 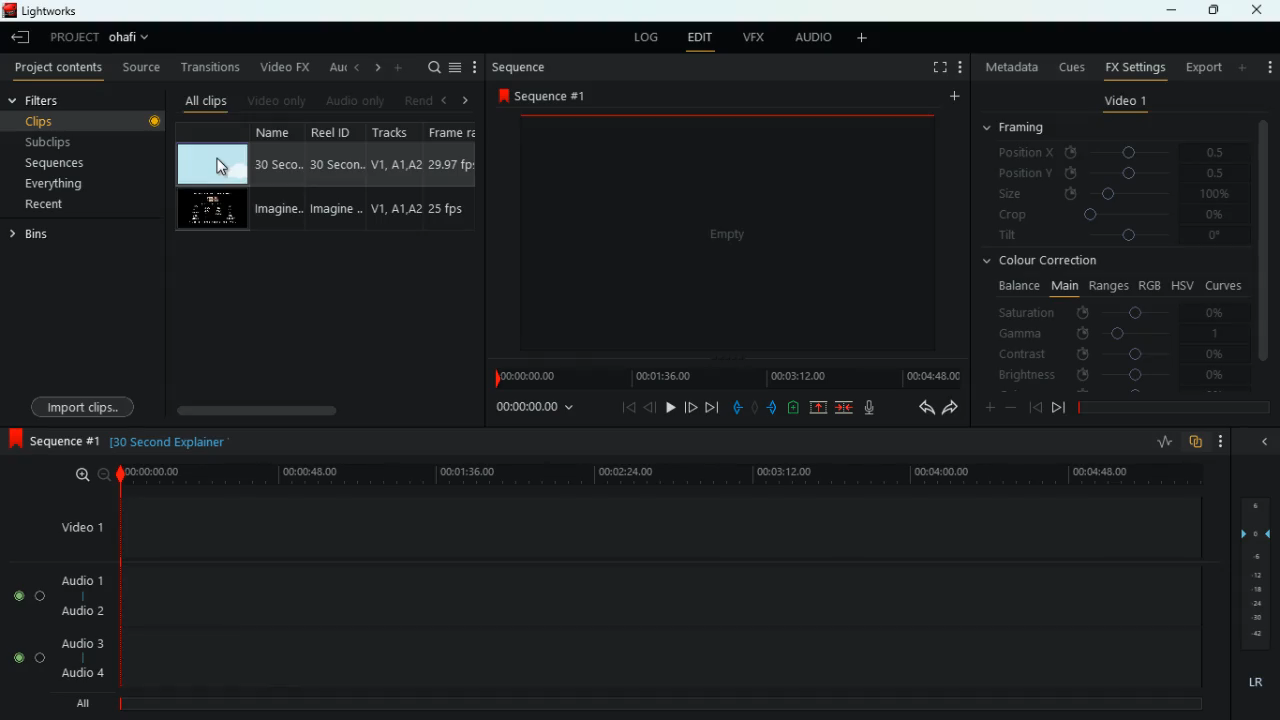 I want to click on time, so click(x=637, y=473).